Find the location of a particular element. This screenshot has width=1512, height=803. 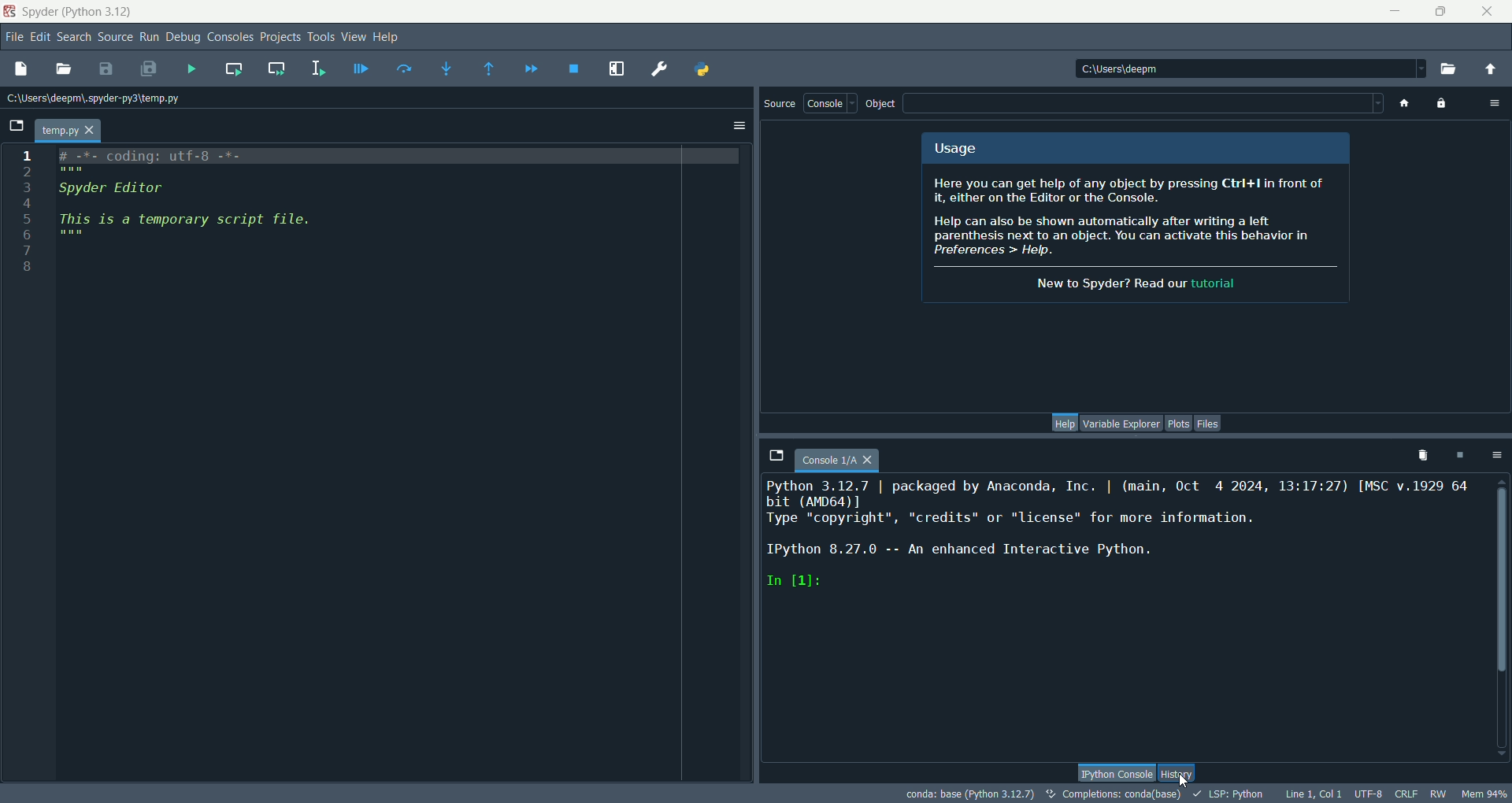

help is located at coordinates (389, 36).